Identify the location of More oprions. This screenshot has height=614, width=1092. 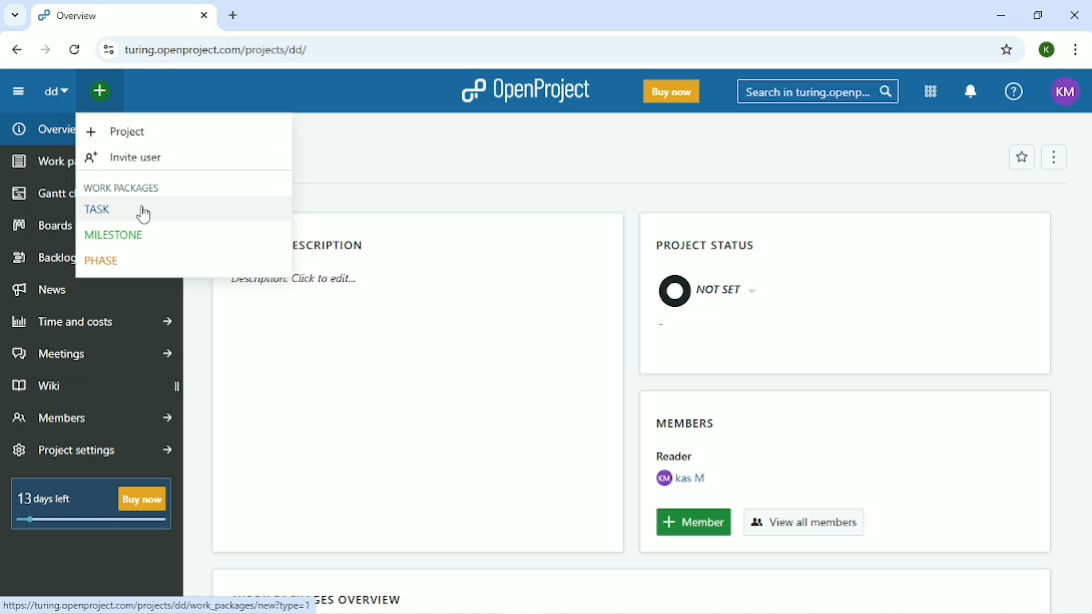
(1055, 156).